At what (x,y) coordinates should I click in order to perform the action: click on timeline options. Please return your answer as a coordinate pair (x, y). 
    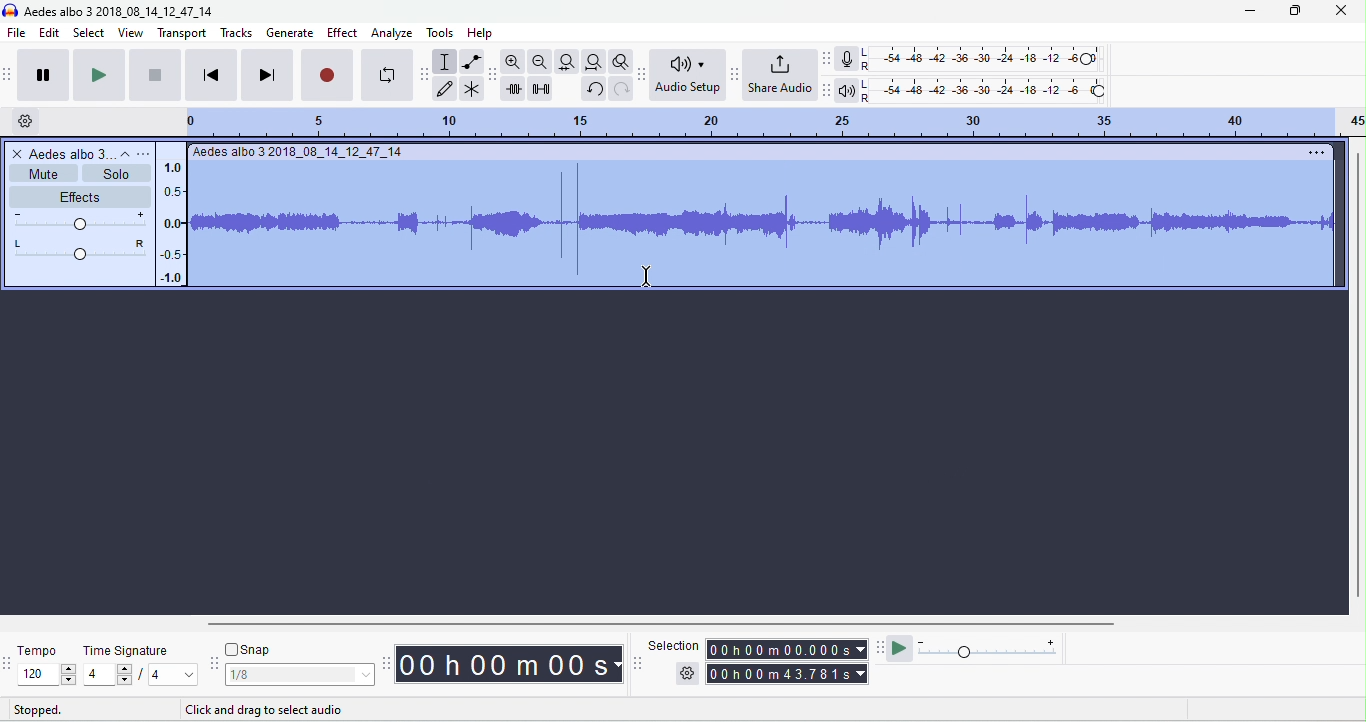
    Looking at the image, I should click on (25, 120).